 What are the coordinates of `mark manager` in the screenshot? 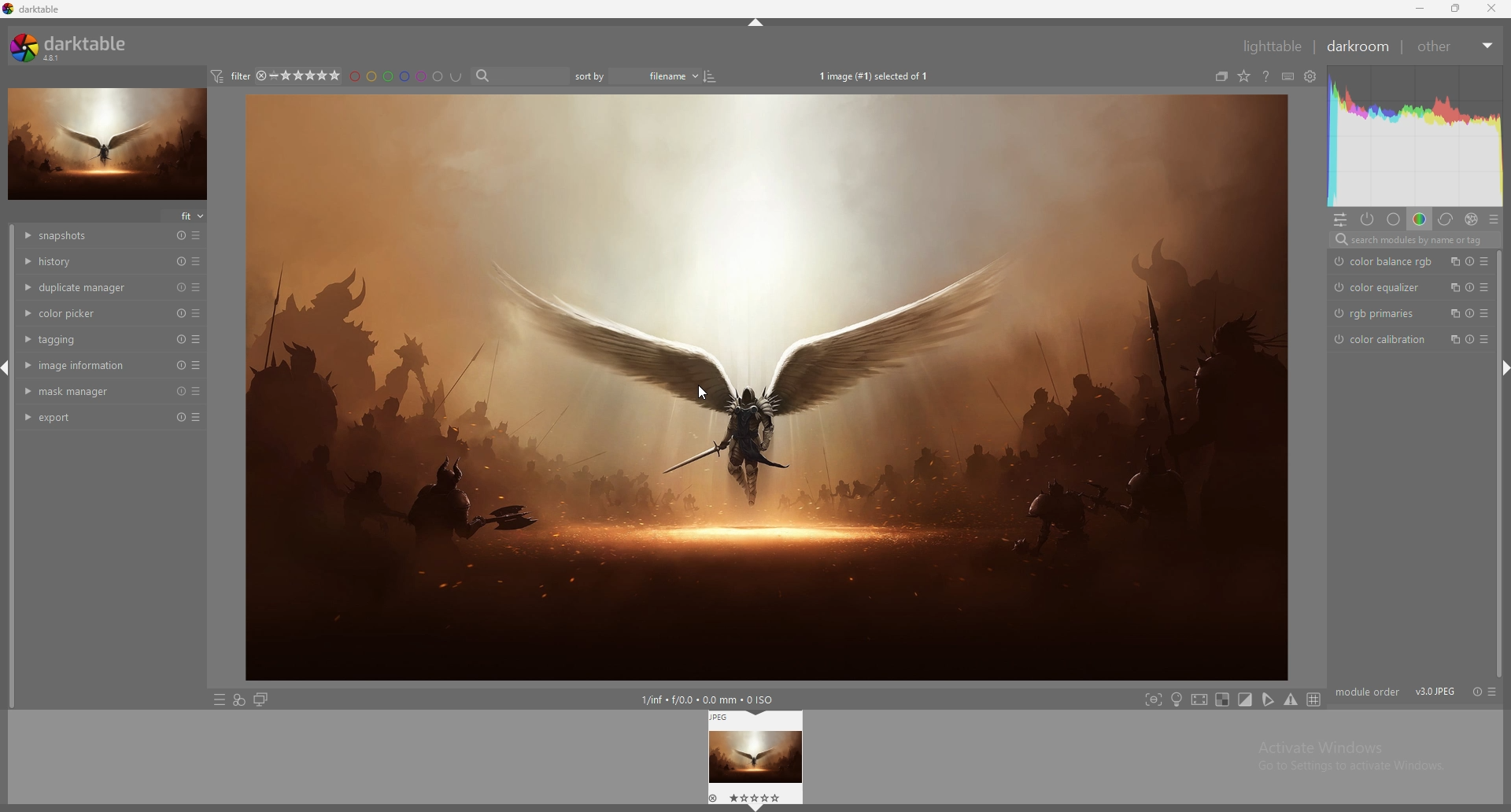 It's located at (84, 391).